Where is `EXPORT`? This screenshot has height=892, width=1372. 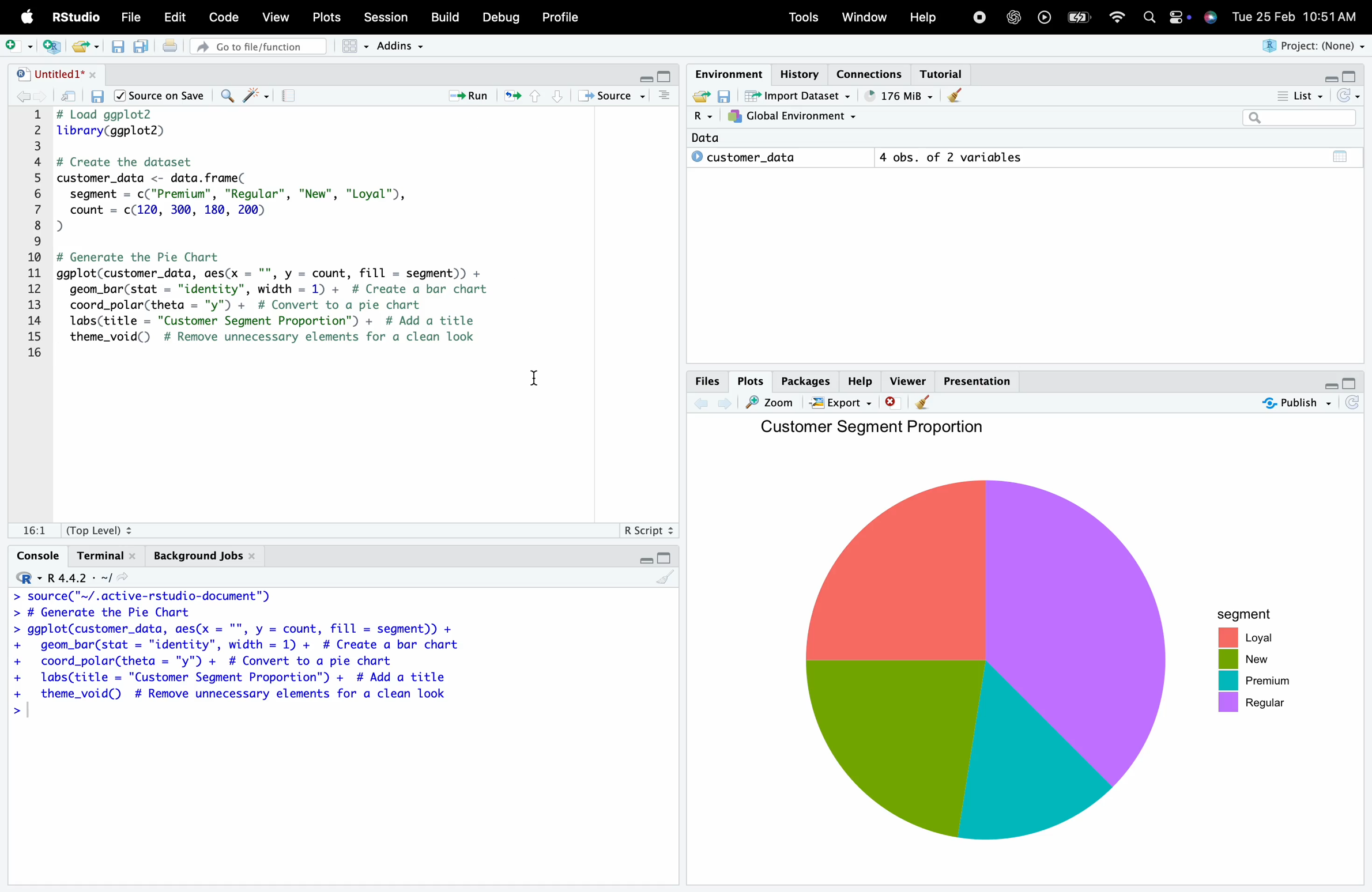 EXPORT is located at coordinates (842, 403).